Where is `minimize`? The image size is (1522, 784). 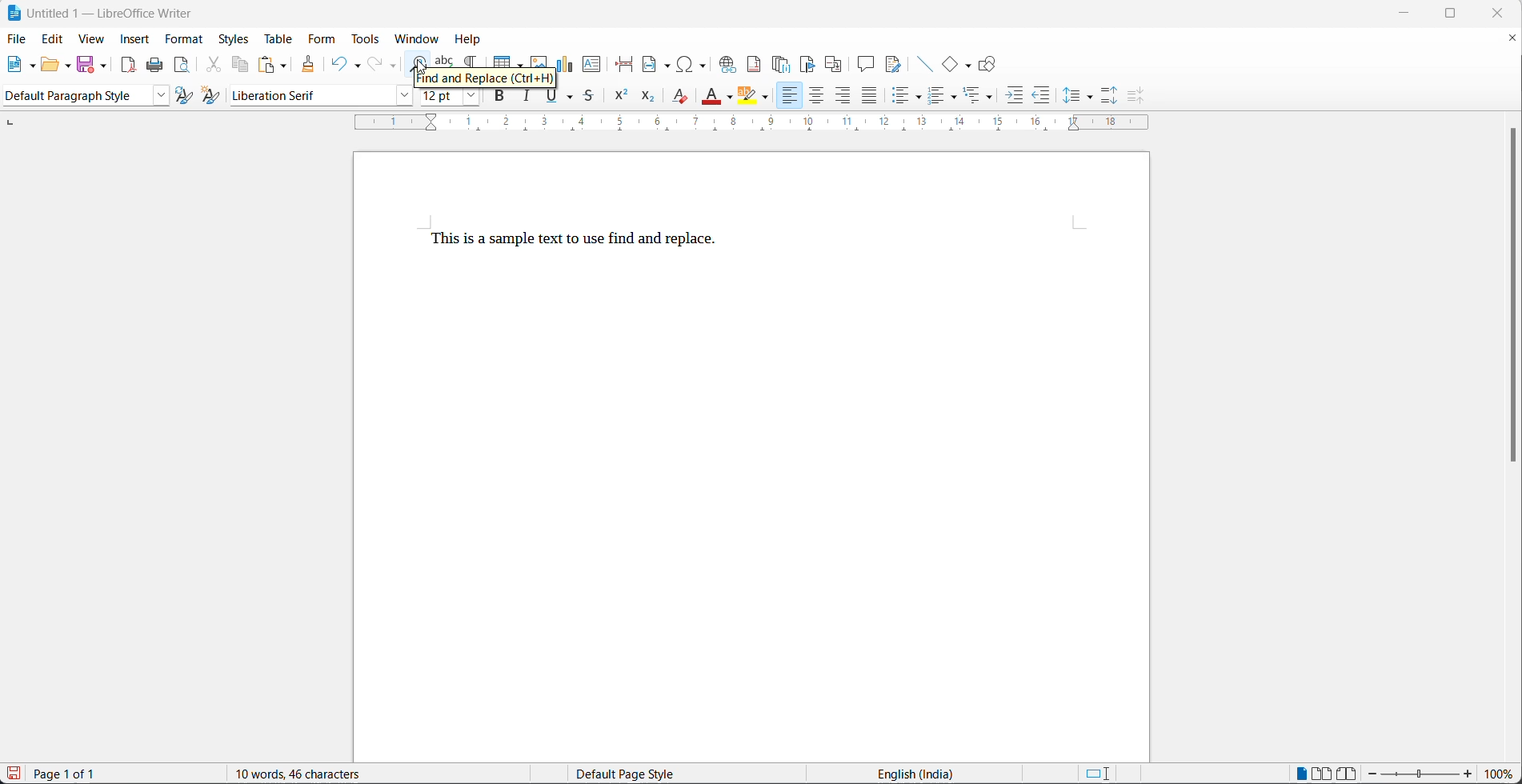 minimize is located at coordinates (1412, 12).